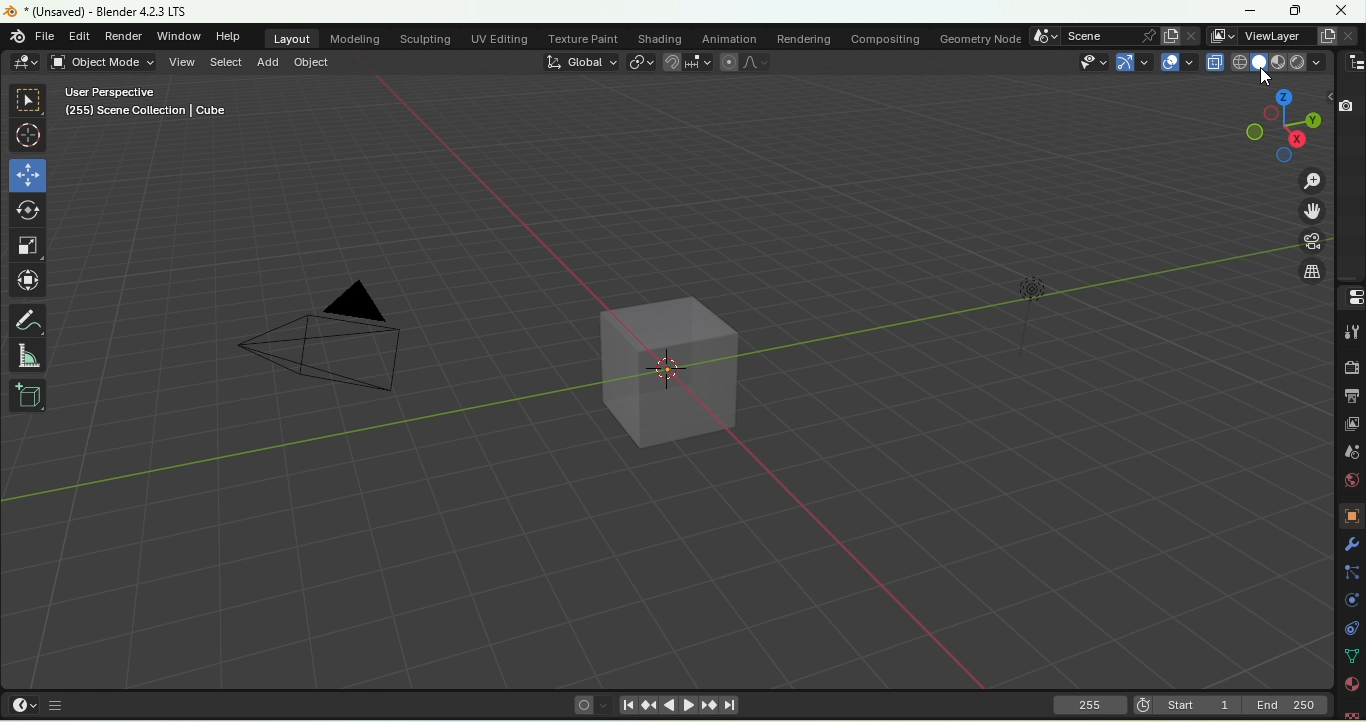 The height and width of the screenshot is (722, 1366). Describe the element at coordinates (699, 63) in the screenshot. I see `Snapping` at that location.